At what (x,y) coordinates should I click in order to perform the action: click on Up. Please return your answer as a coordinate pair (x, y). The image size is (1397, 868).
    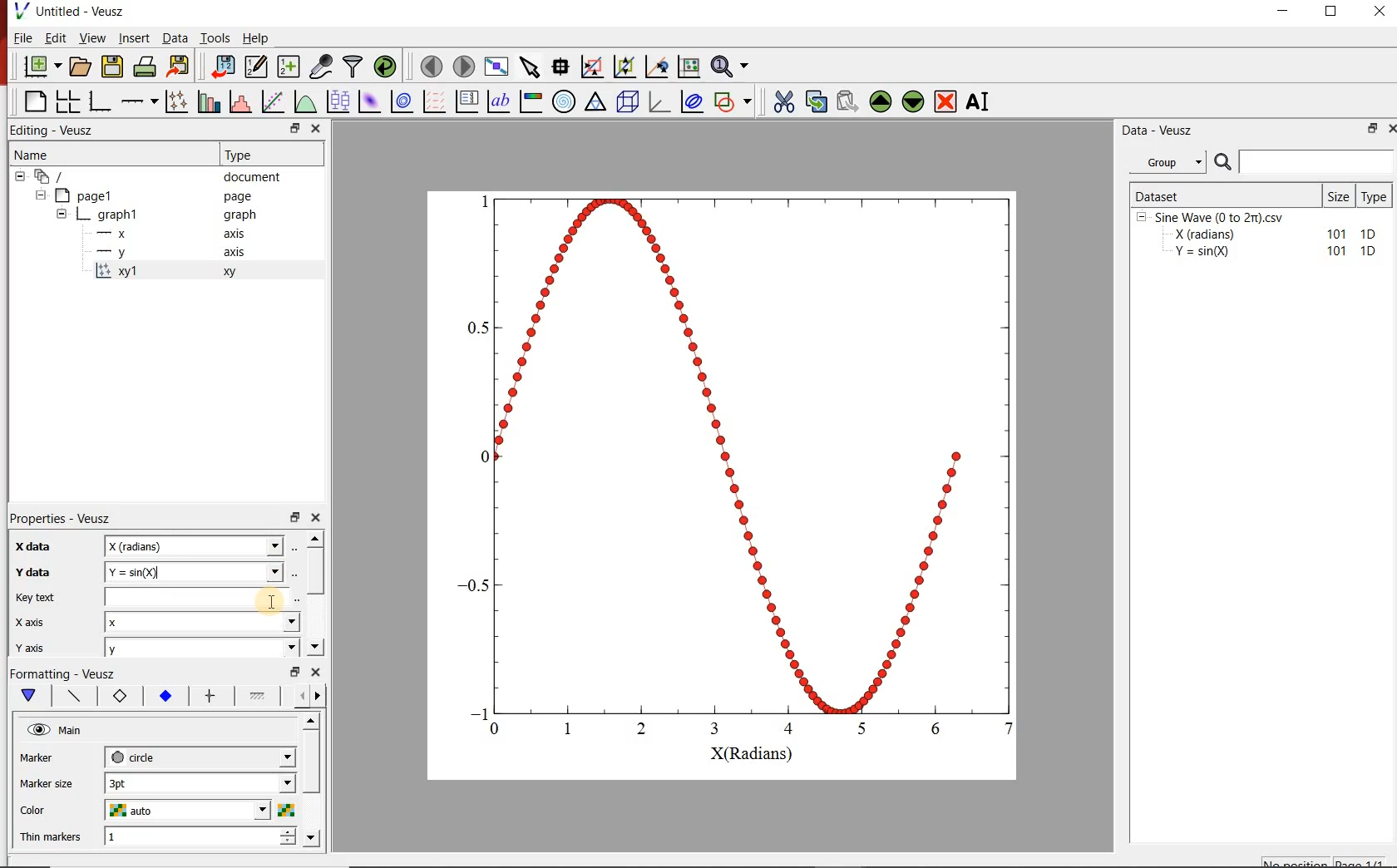
    Looking at the image, I should click on (315, 538).